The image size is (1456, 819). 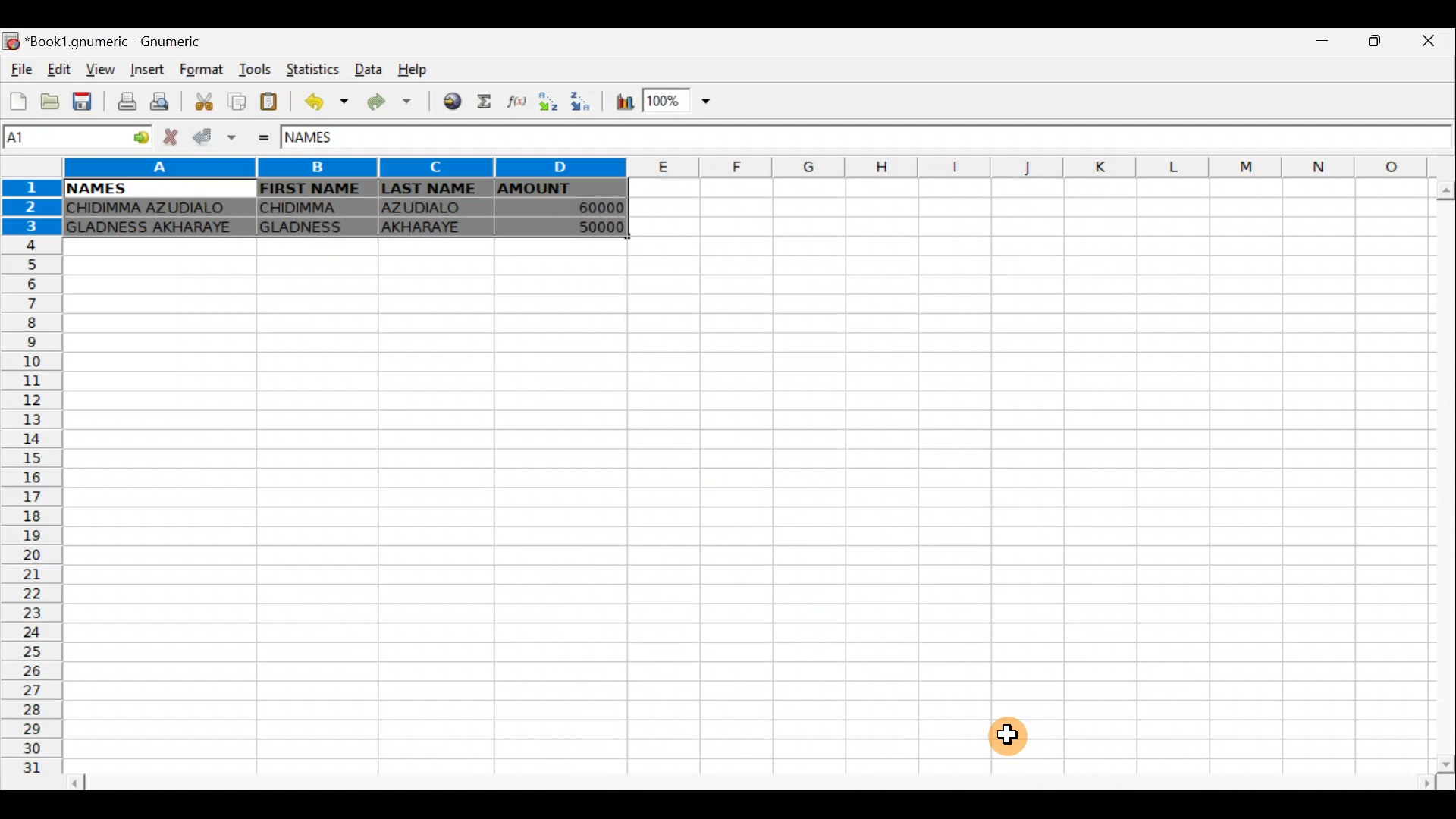 I want to click on Enter formula, so click(x=265, y=140).